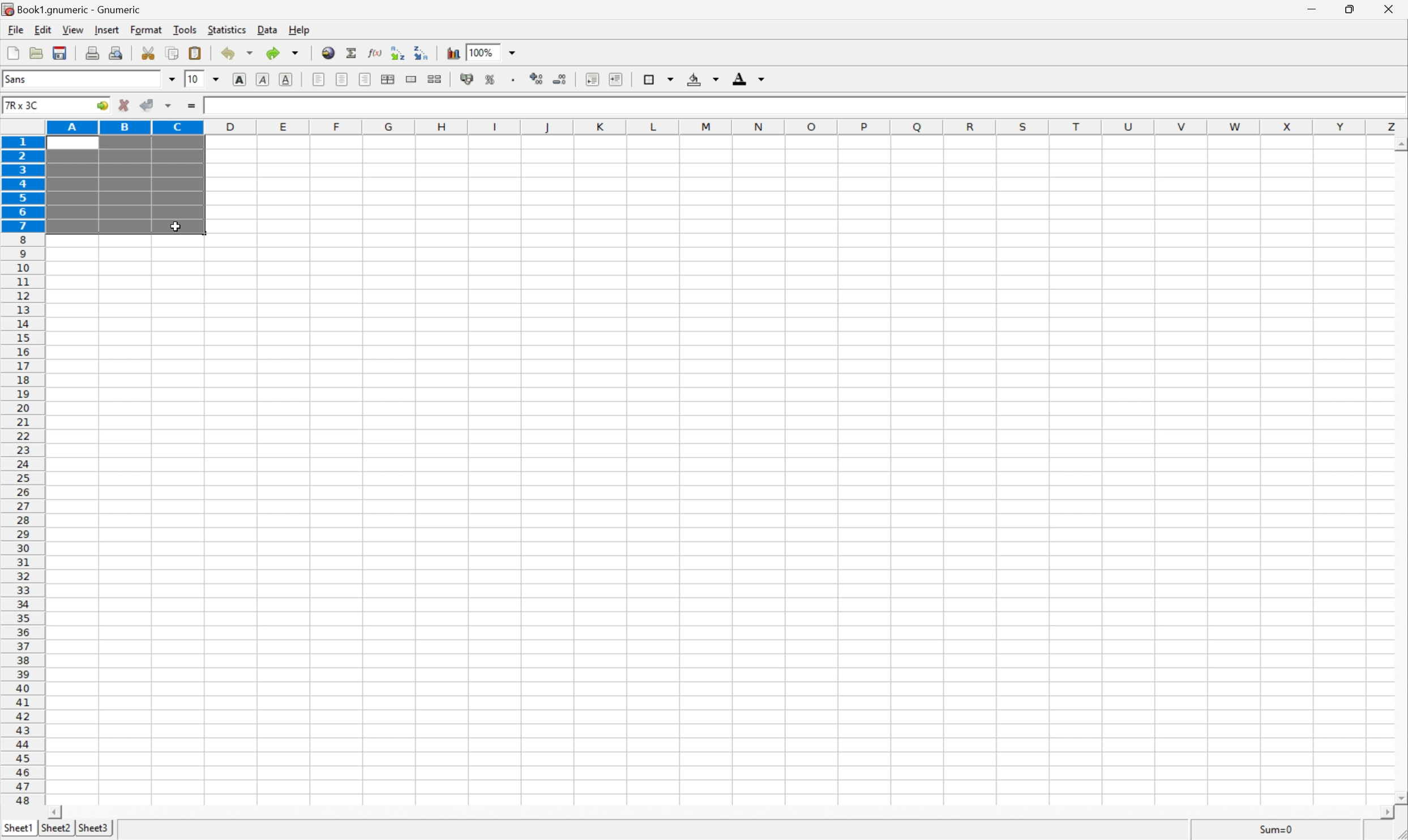 The image size is (1408, 840). I want to click on edit, so click(41, 29).